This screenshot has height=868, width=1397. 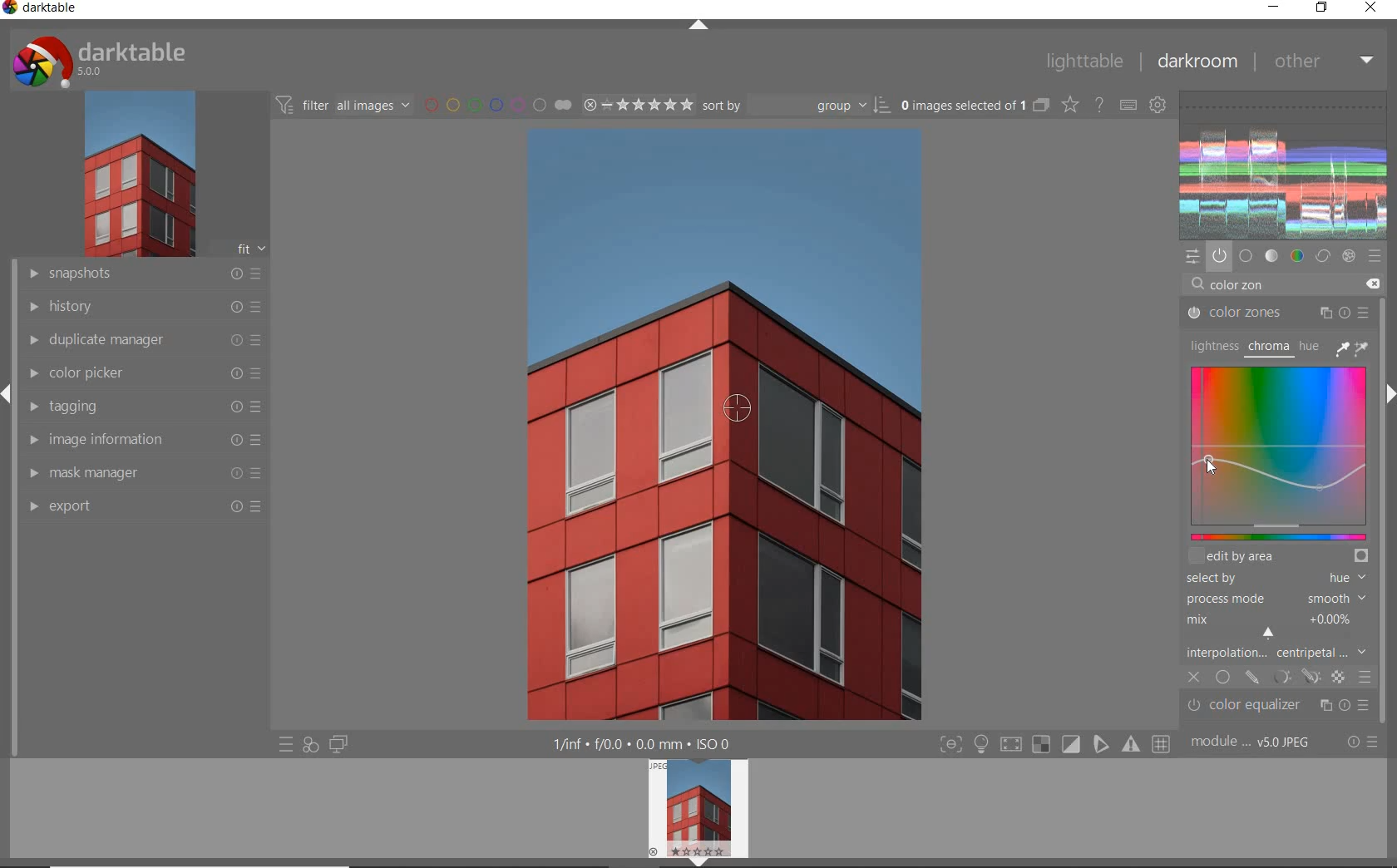 I want to click on enable for online help, so click(x=1100, y=104).